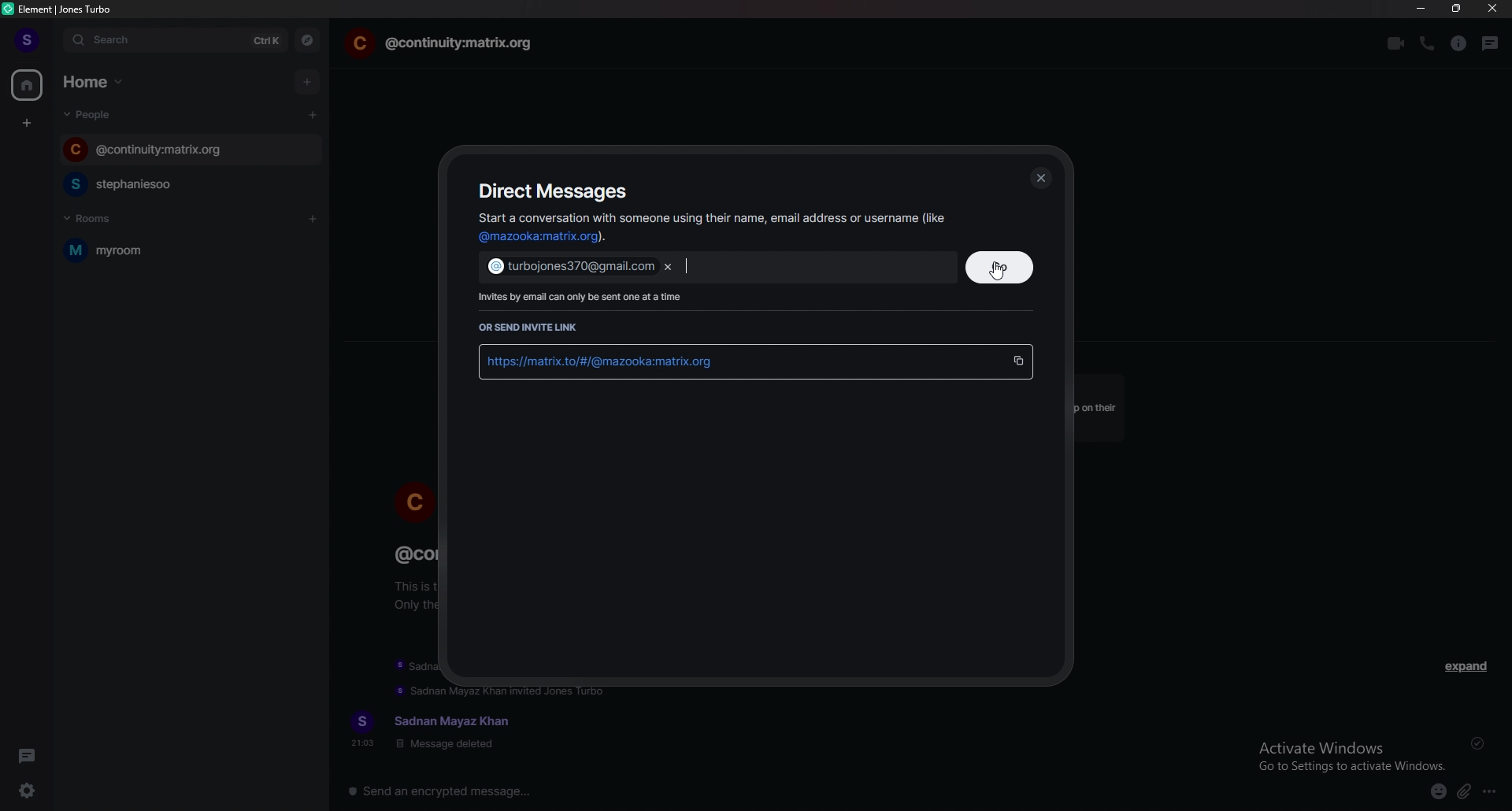  What do you see at coordinates (712, 226) in the screenshot?
I see `info` at bounding box center [712, 226].